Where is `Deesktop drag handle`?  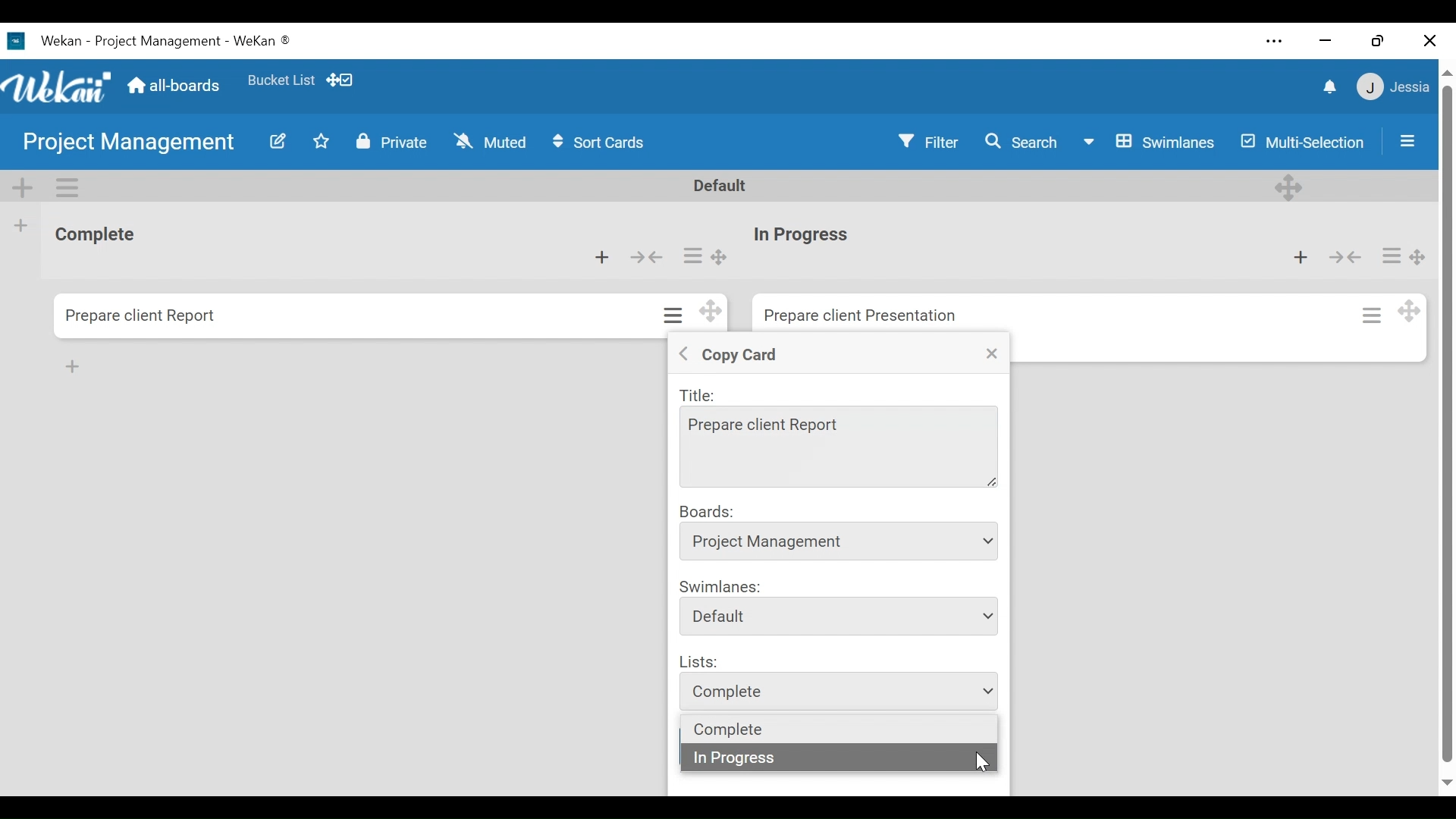
Deesktop drag handle is located at coordinates (1289, 187).